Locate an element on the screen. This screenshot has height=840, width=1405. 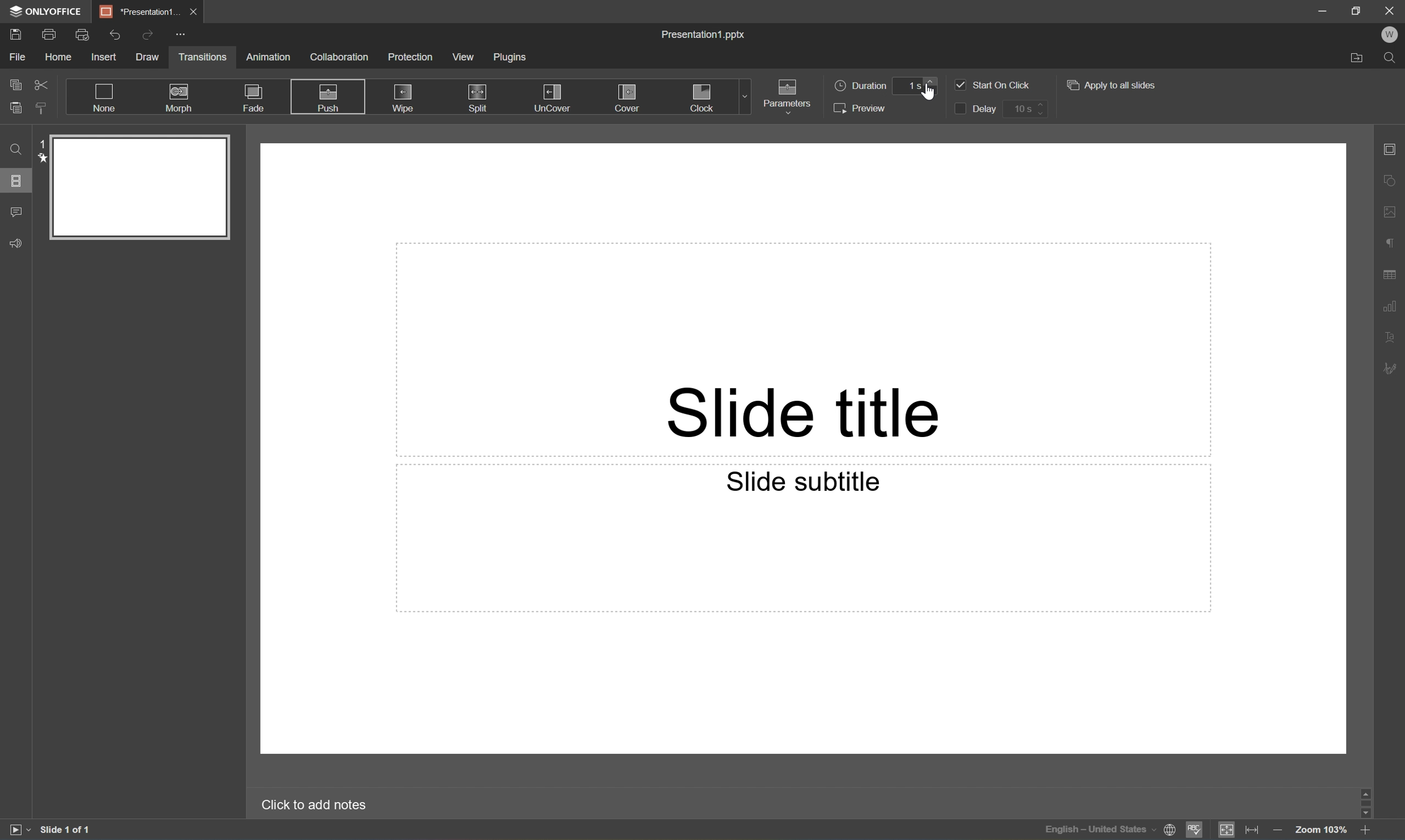
Start on click is located at coordinates (993, 84).